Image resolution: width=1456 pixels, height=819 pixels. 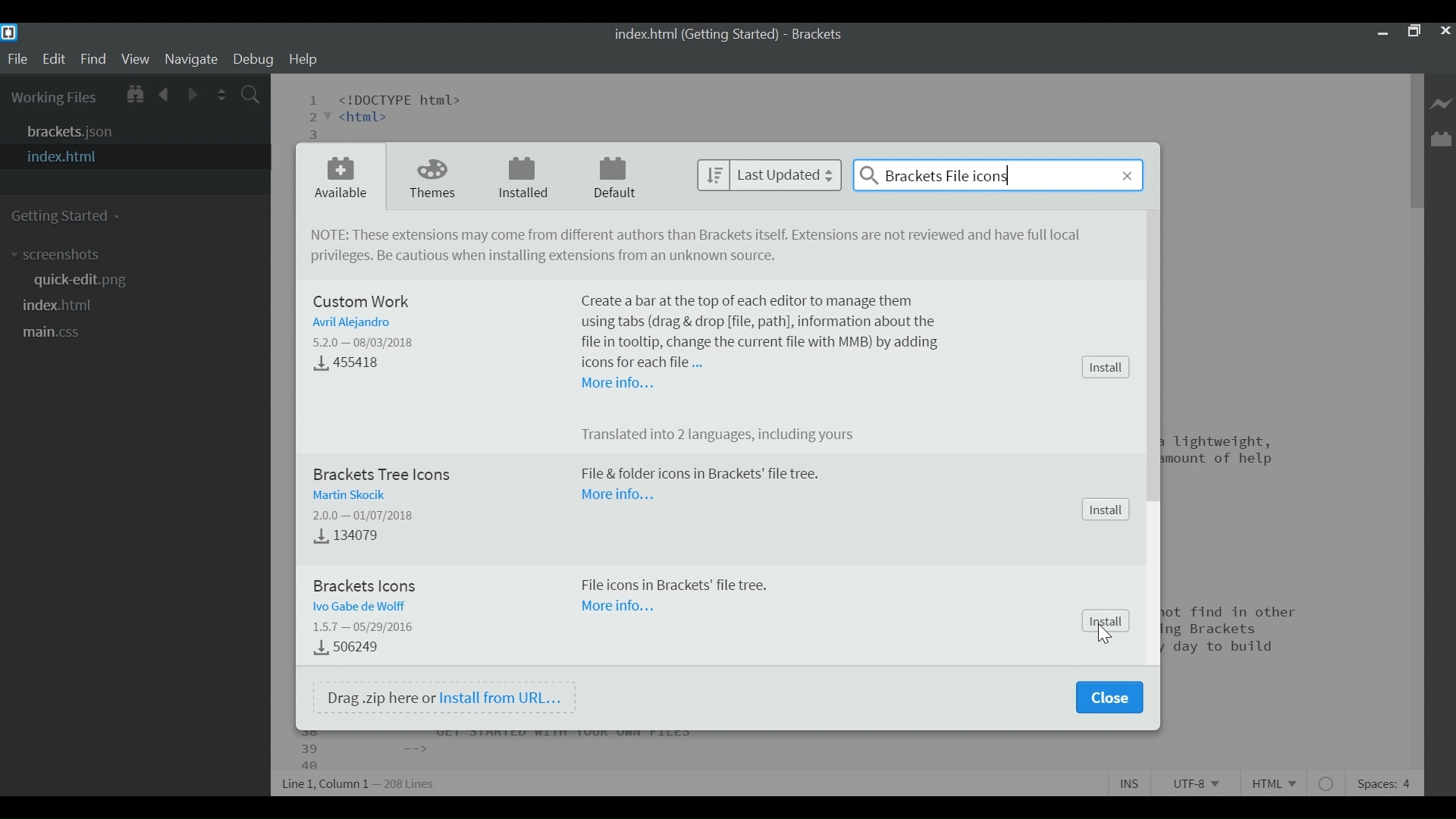 I want to click on More Information, so click(x=617, y=385).